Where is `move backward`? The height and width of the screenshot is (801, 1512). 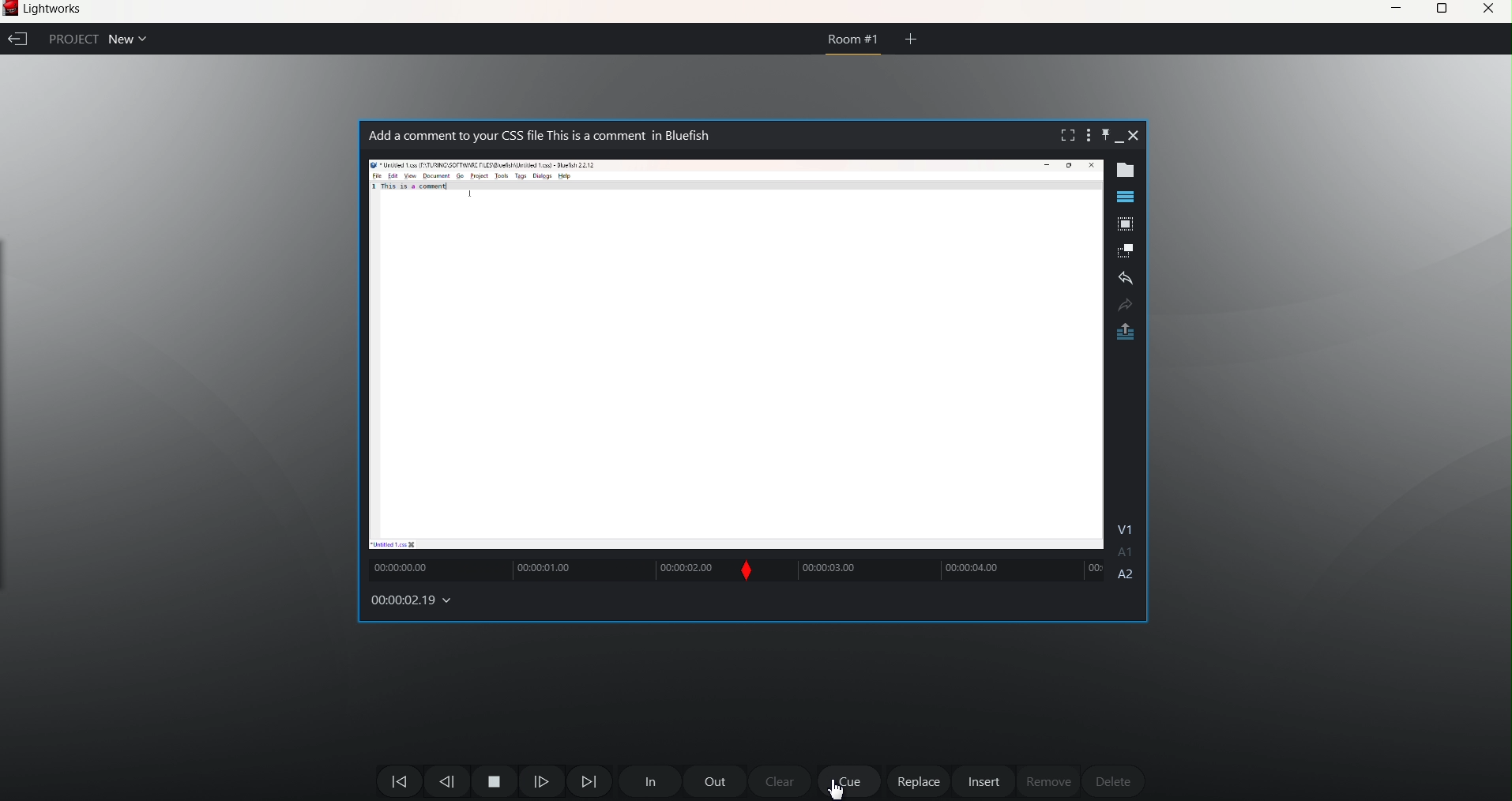
move backward is located at coordinates (399, 780).